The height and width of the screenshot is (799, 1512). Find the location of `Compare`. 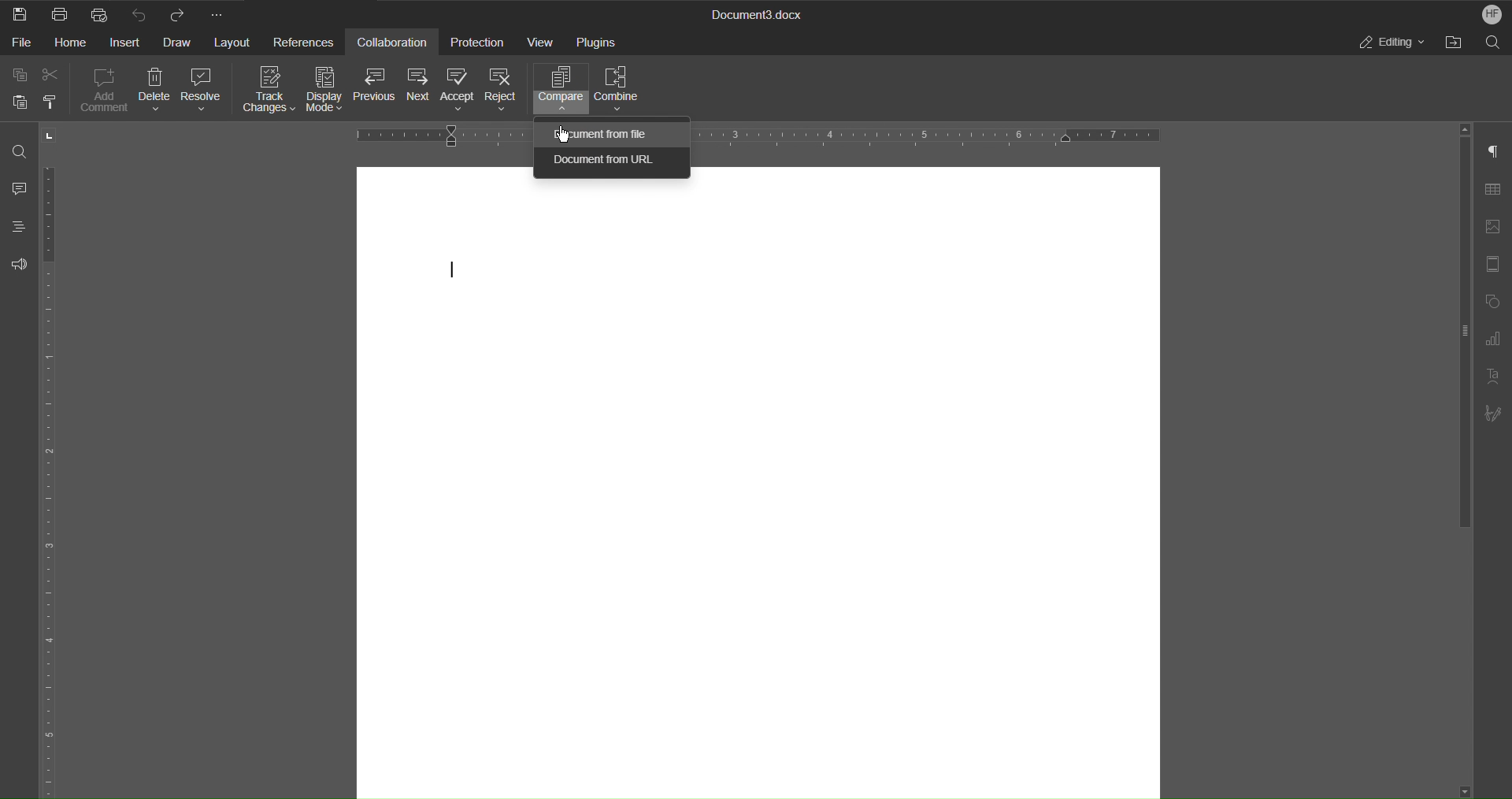

Compare is located at coordinates (559, 87).